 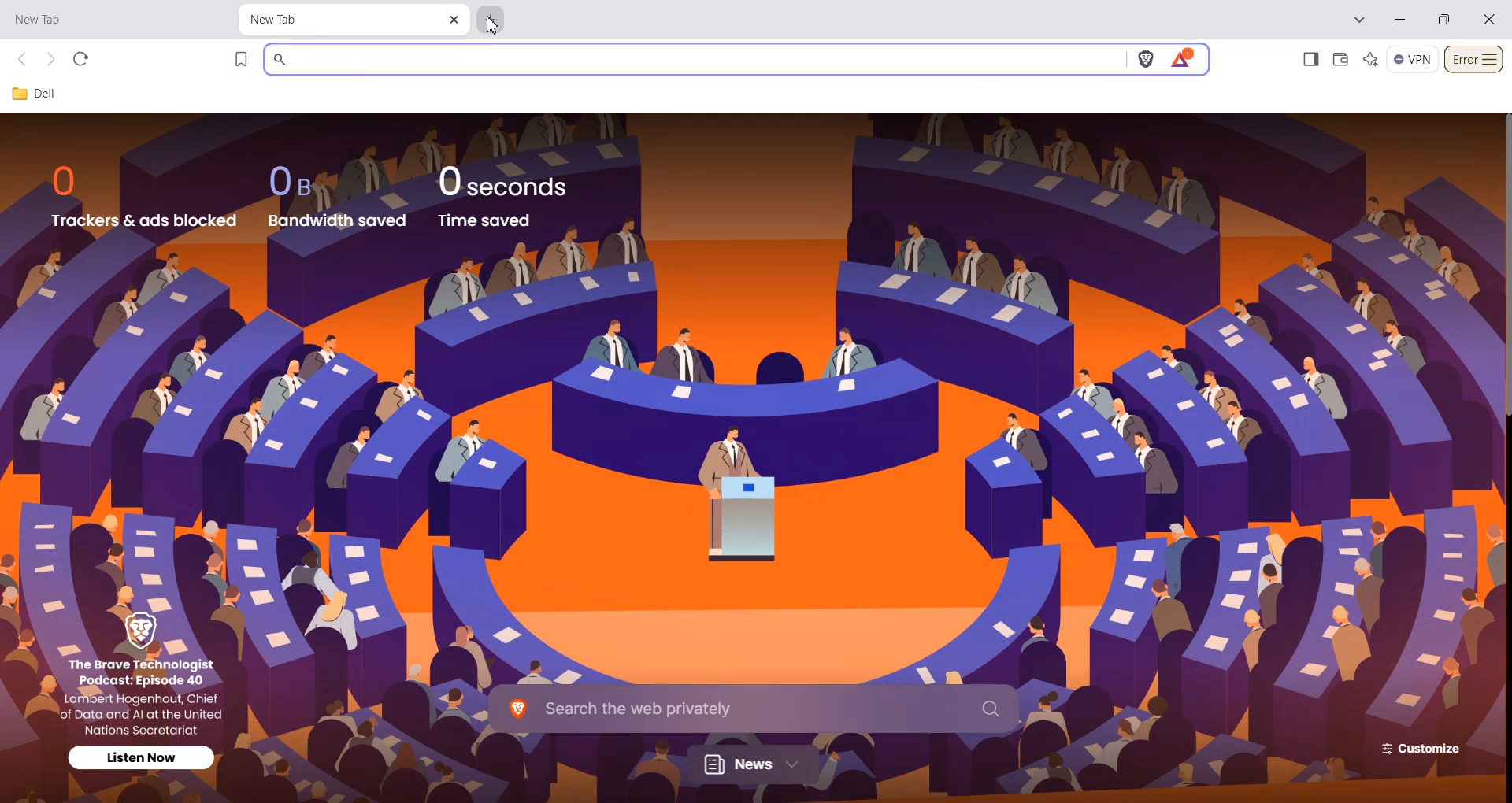 I want to click on Show sidebar, so click(x=1310, y=59).